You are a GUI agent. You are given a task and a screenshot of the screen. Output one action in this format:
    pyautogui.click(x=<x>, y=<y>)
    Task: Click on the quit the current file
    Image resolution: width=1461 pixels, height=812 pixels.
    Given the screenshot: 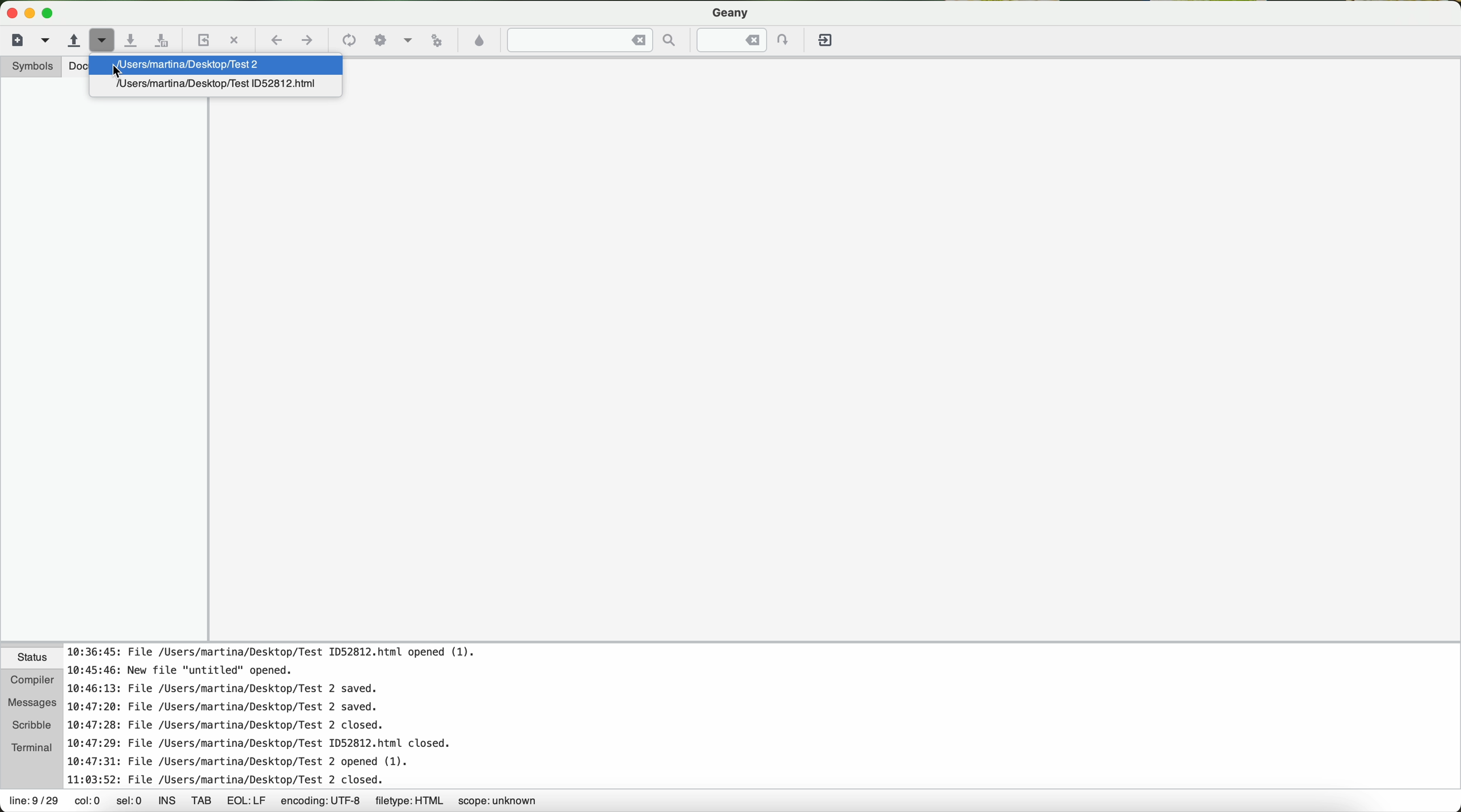 What is the action you would take?
    pyautogui.click(x=235, y=40)
    